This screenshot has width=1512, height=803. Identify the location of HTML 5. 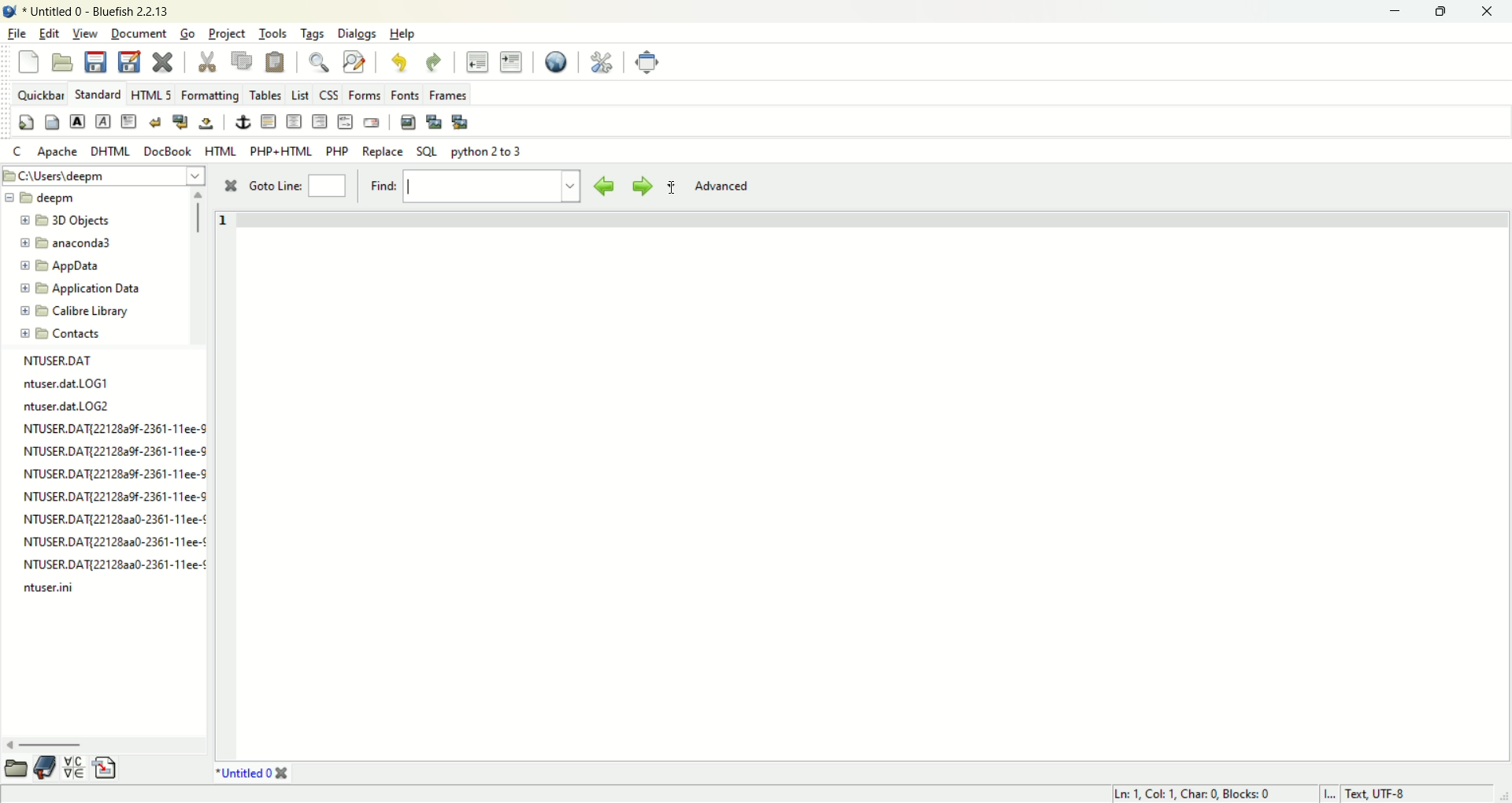
(152, 96).